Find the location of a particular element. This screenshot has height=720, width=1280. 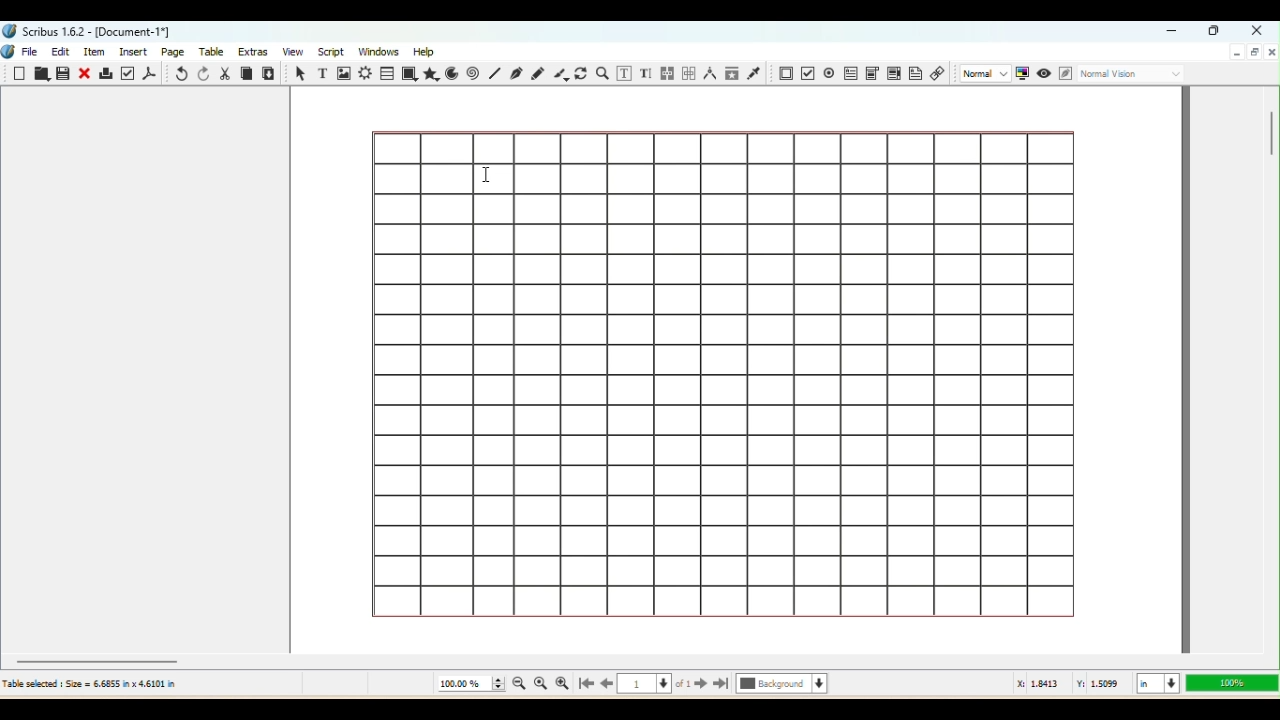

Maximize is located at coordinates (1216, 32).